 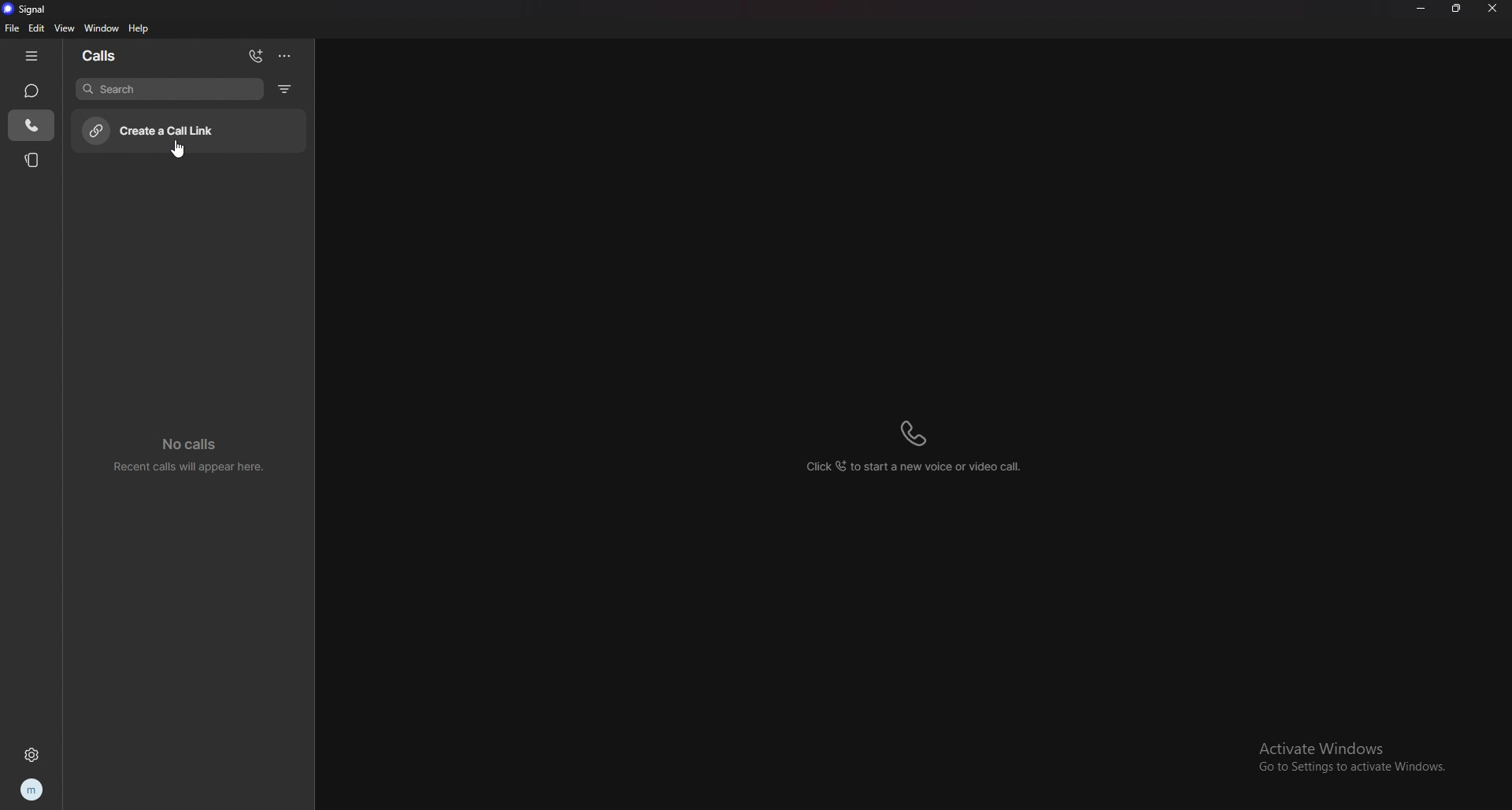 What do you see at coordinates (31, 790) in the screenshot?
I see `profile` at bounding box center [31, 790].